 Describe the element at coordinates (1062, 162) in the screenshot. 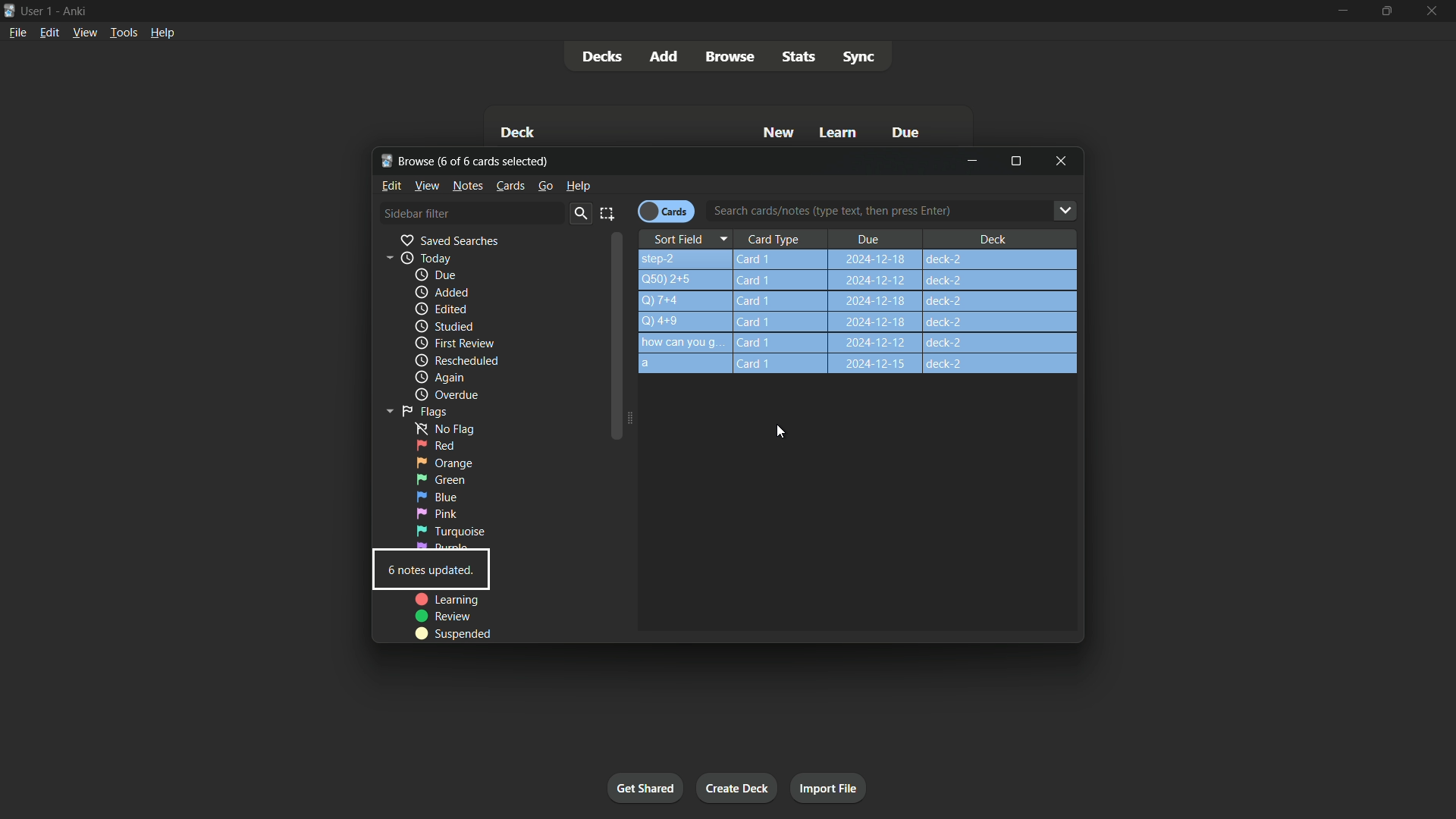

I see `Close browse` at that location.